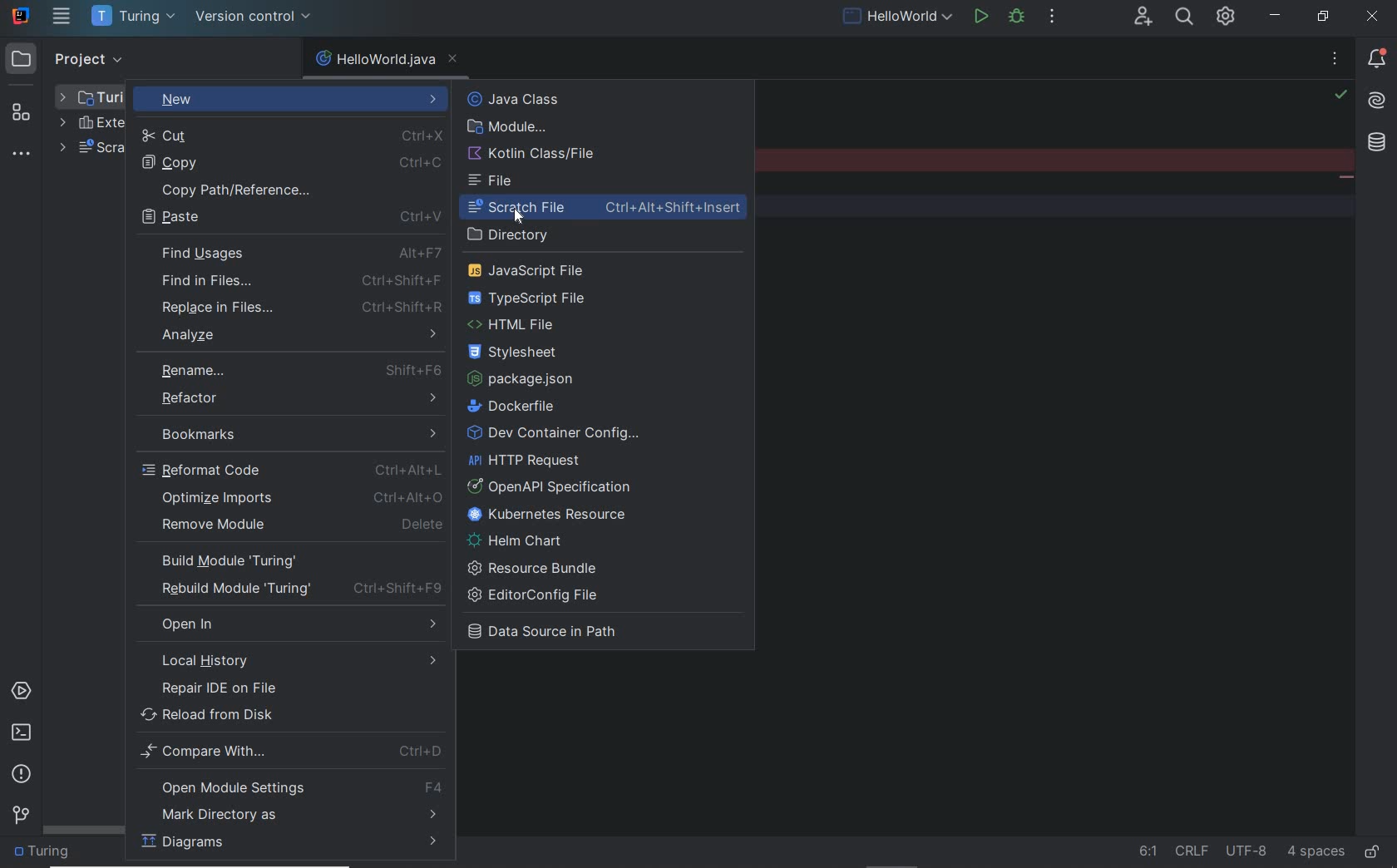  Describe the element at coordinates (22, 735) in the screenshot. I see `terminal` at that location.